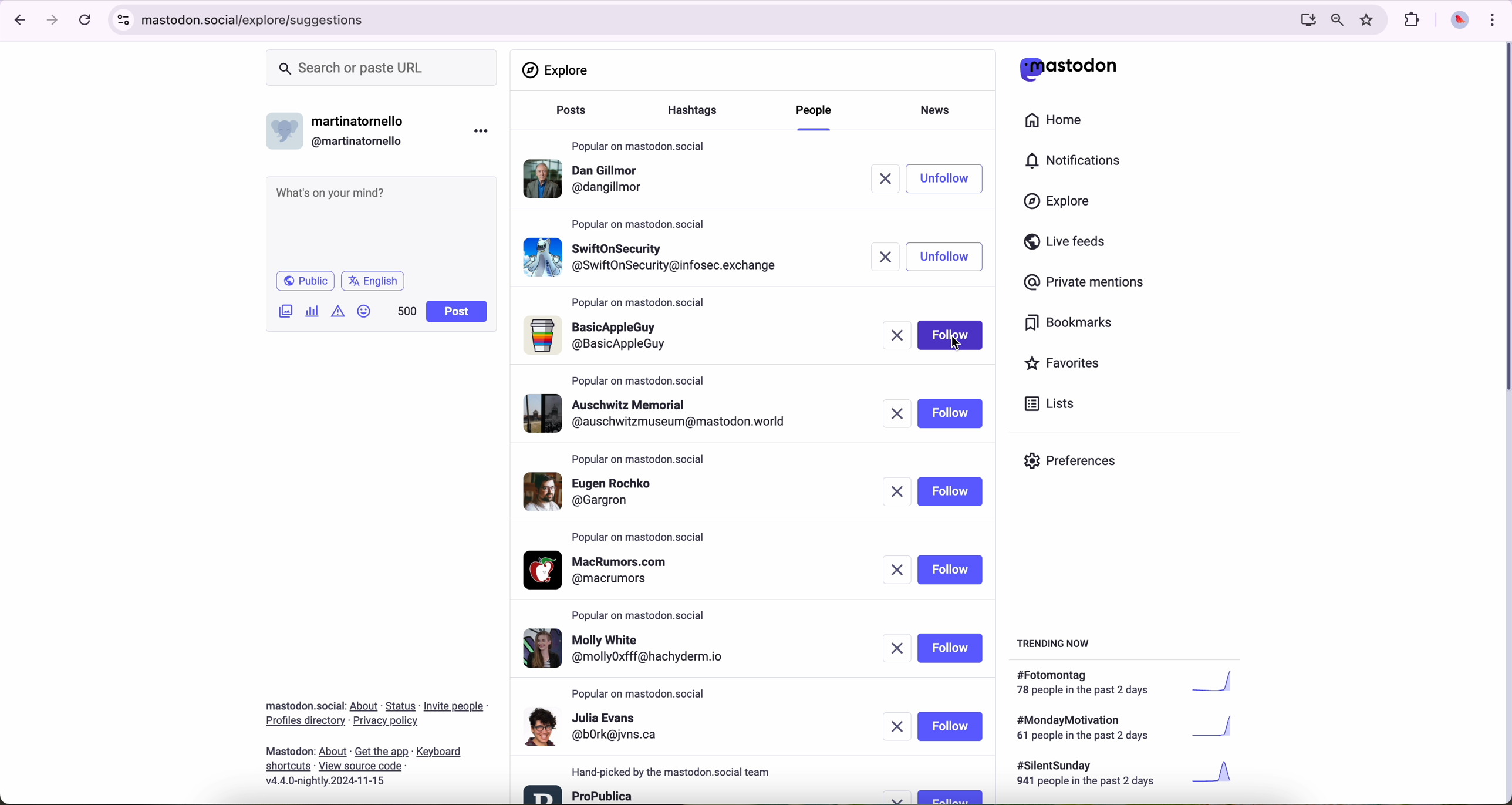  What do you see at coordinates (124, 20) in the screenshot?
I see `controls` at bounding box center [124, 20].